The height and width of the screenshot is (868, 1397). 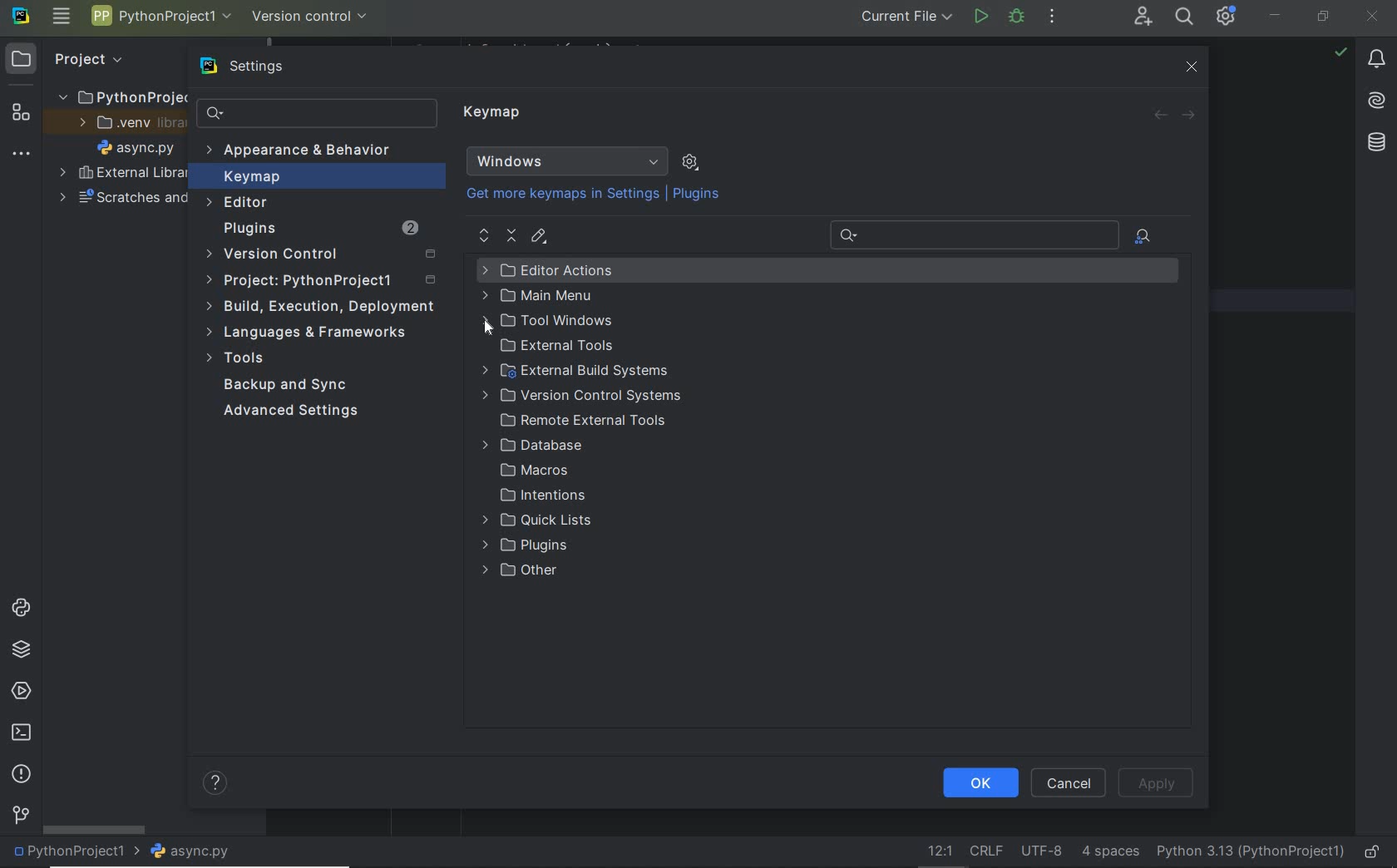 What do you see at coordinates (239, 360) in the screenshot?
I see `Tools` at bounding box center [239, 360].